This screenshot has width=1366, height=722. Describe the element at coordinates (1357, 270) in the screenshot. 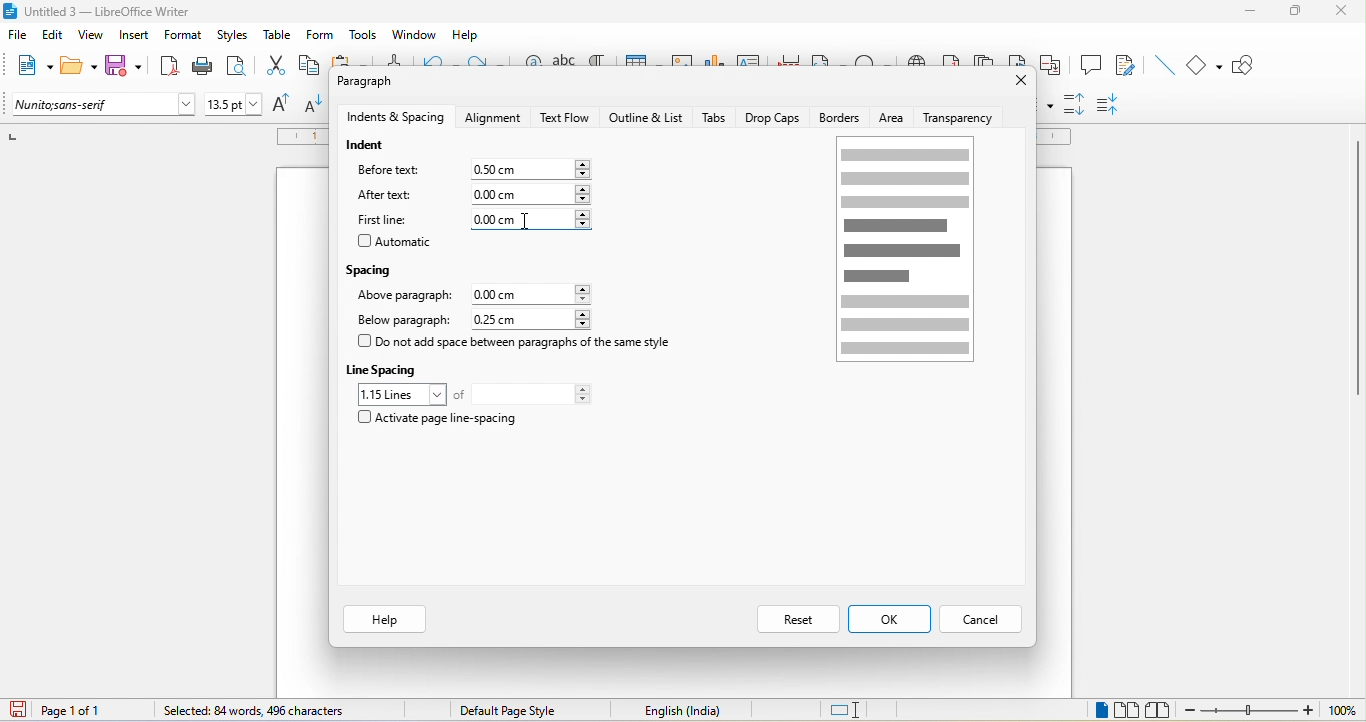

I see `vertical scroll bar` at that location.